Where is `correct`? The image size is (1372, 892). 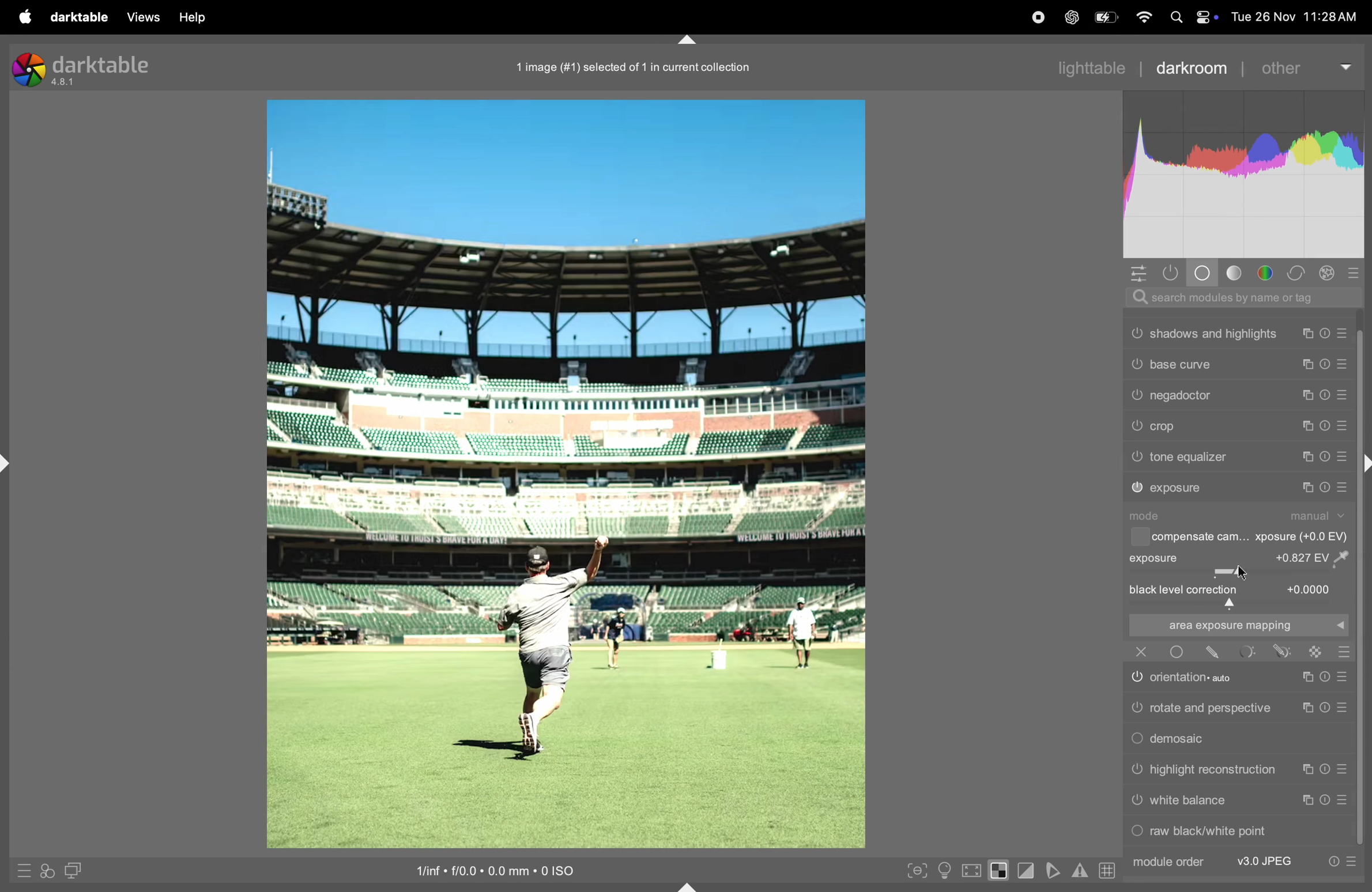 correct is located at coordinates (1298, 273).